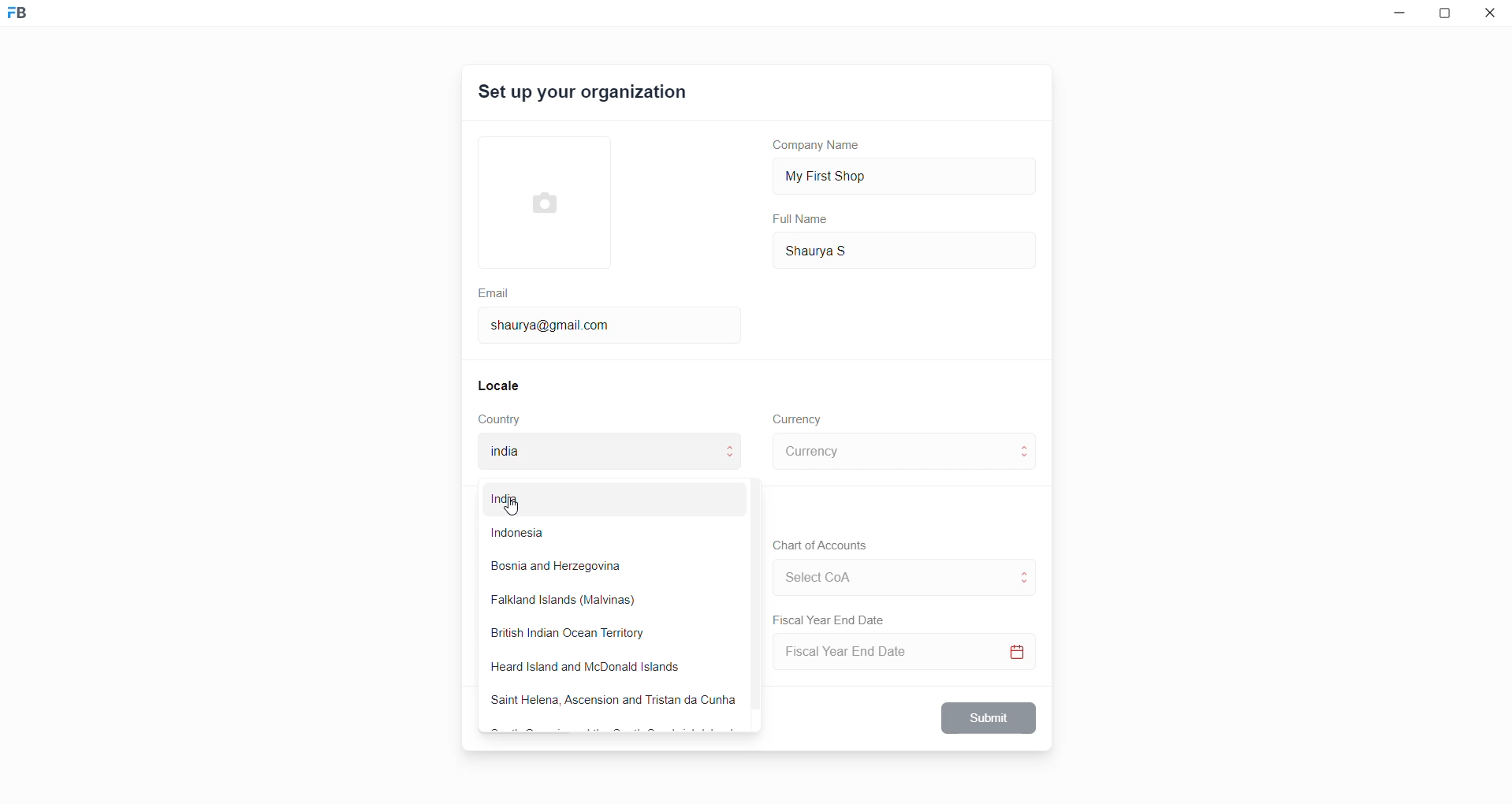 This screenshot has height=804, width=1512. Describe the element at coordinates (851, 174) in the screenshot. I see `My First Shop` at that location.